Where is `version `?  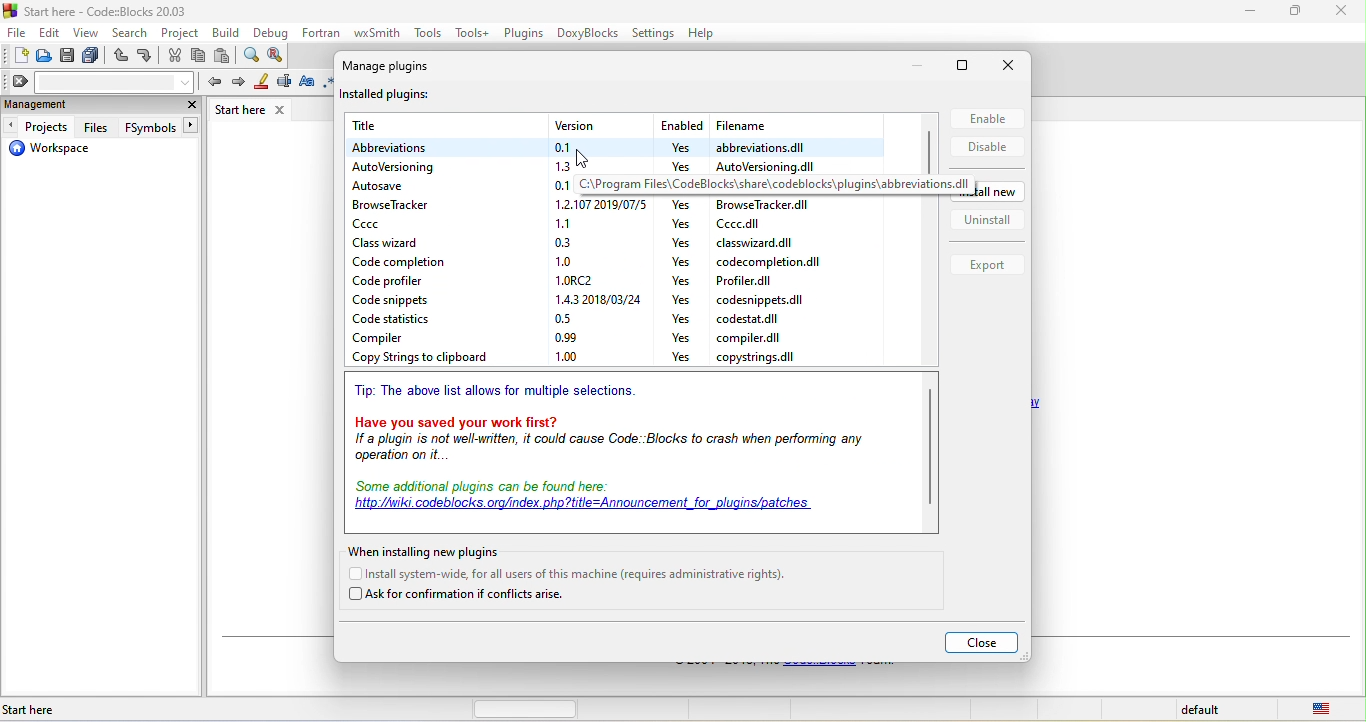 version  is located at coordinates (596, 298).